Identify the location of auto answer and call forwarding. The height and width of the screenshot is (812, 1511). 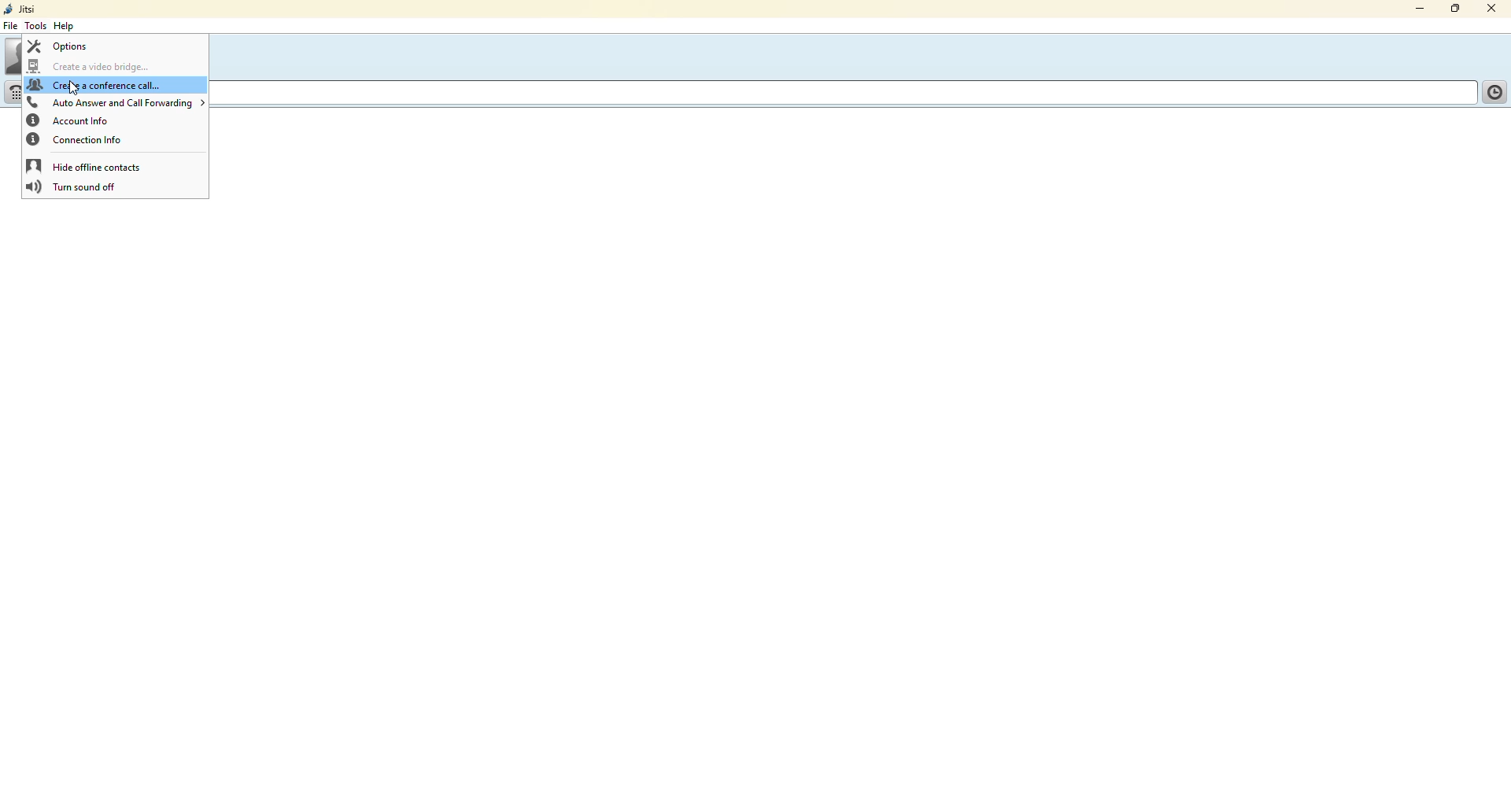
(113, 103).